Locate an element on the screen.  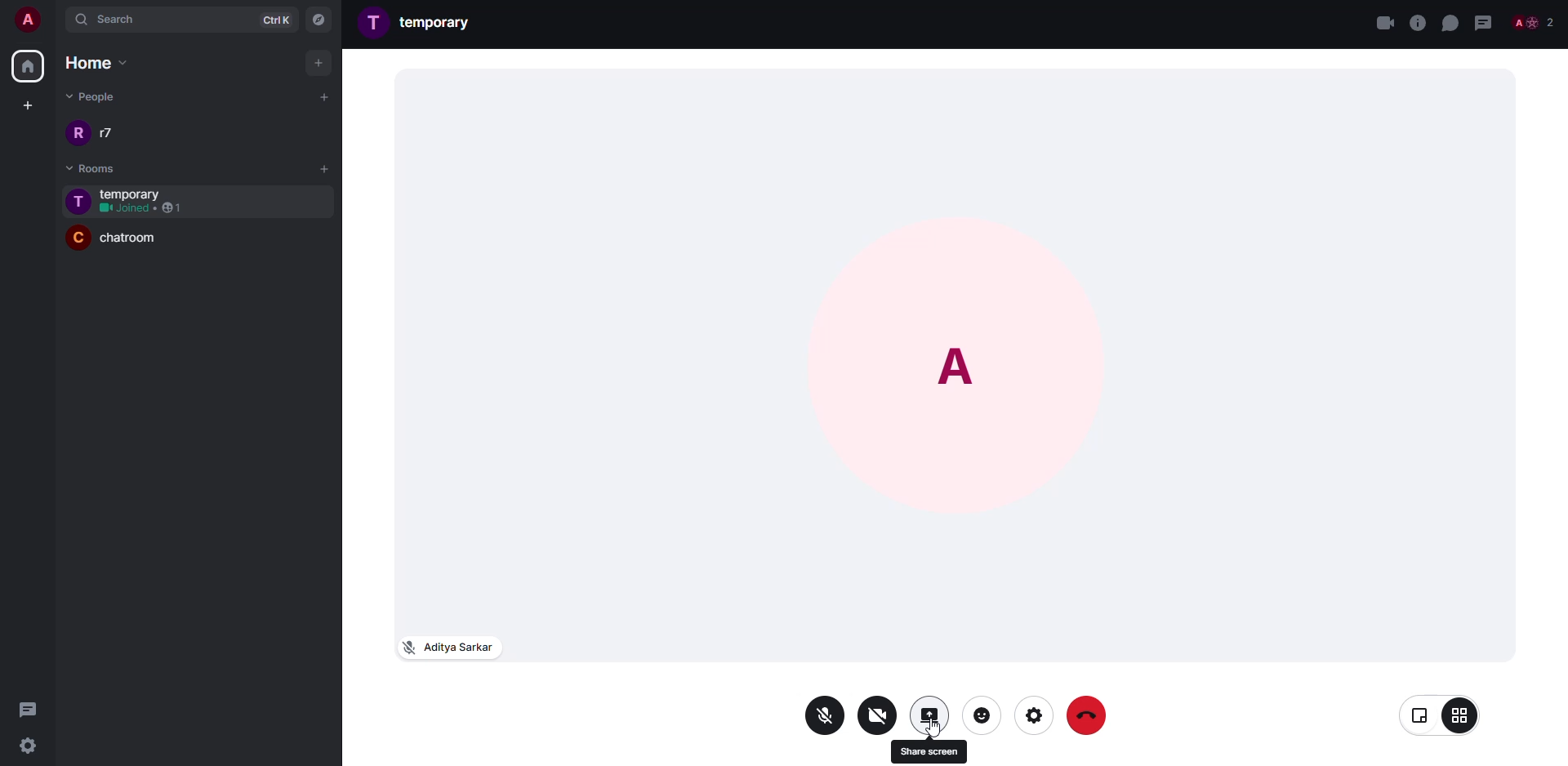
1 joined is located at coordinates (142, 209).